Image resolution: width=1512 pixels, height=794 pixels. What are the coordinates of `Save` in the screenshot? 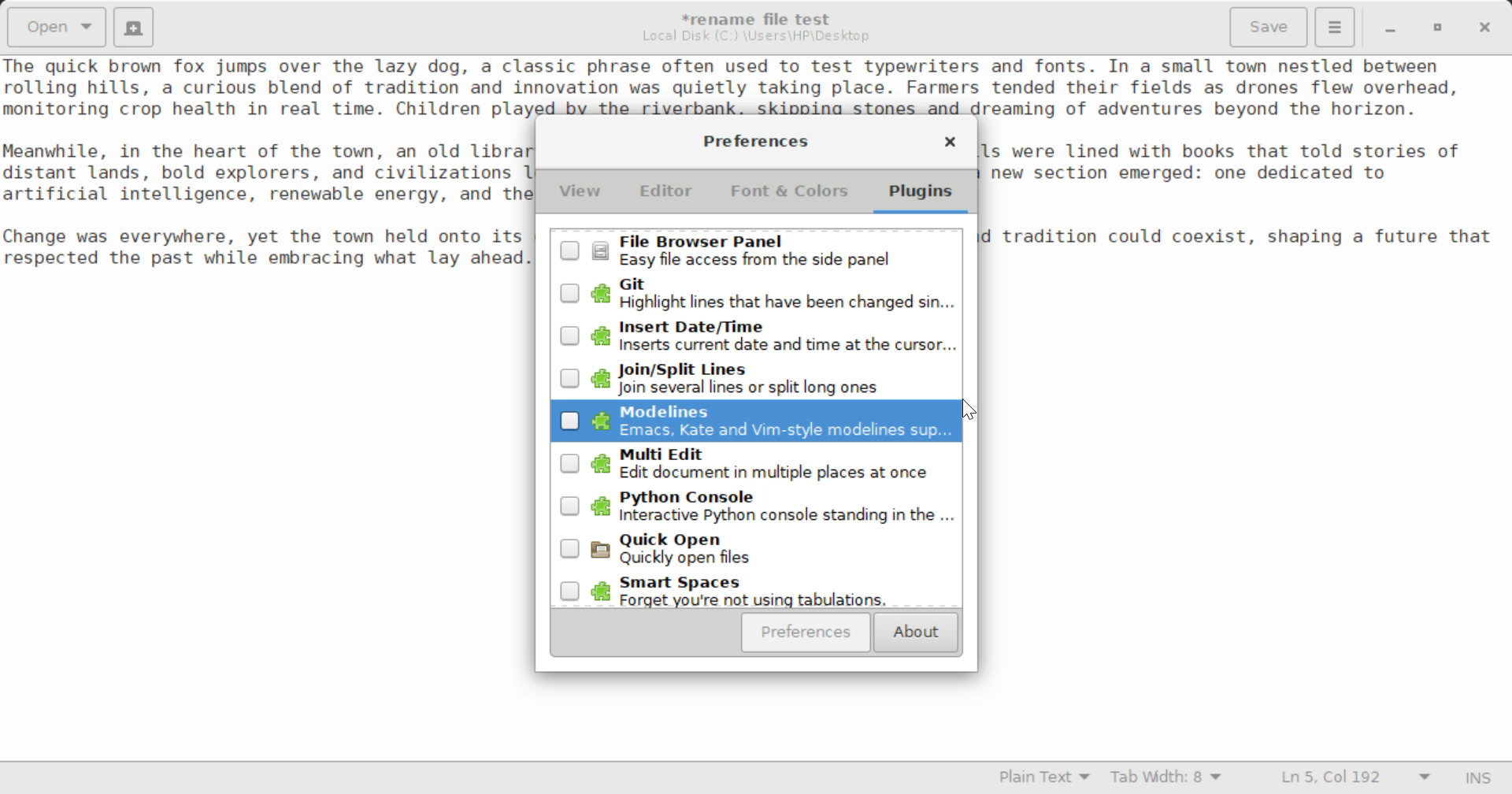 It's located at (1270, 28).